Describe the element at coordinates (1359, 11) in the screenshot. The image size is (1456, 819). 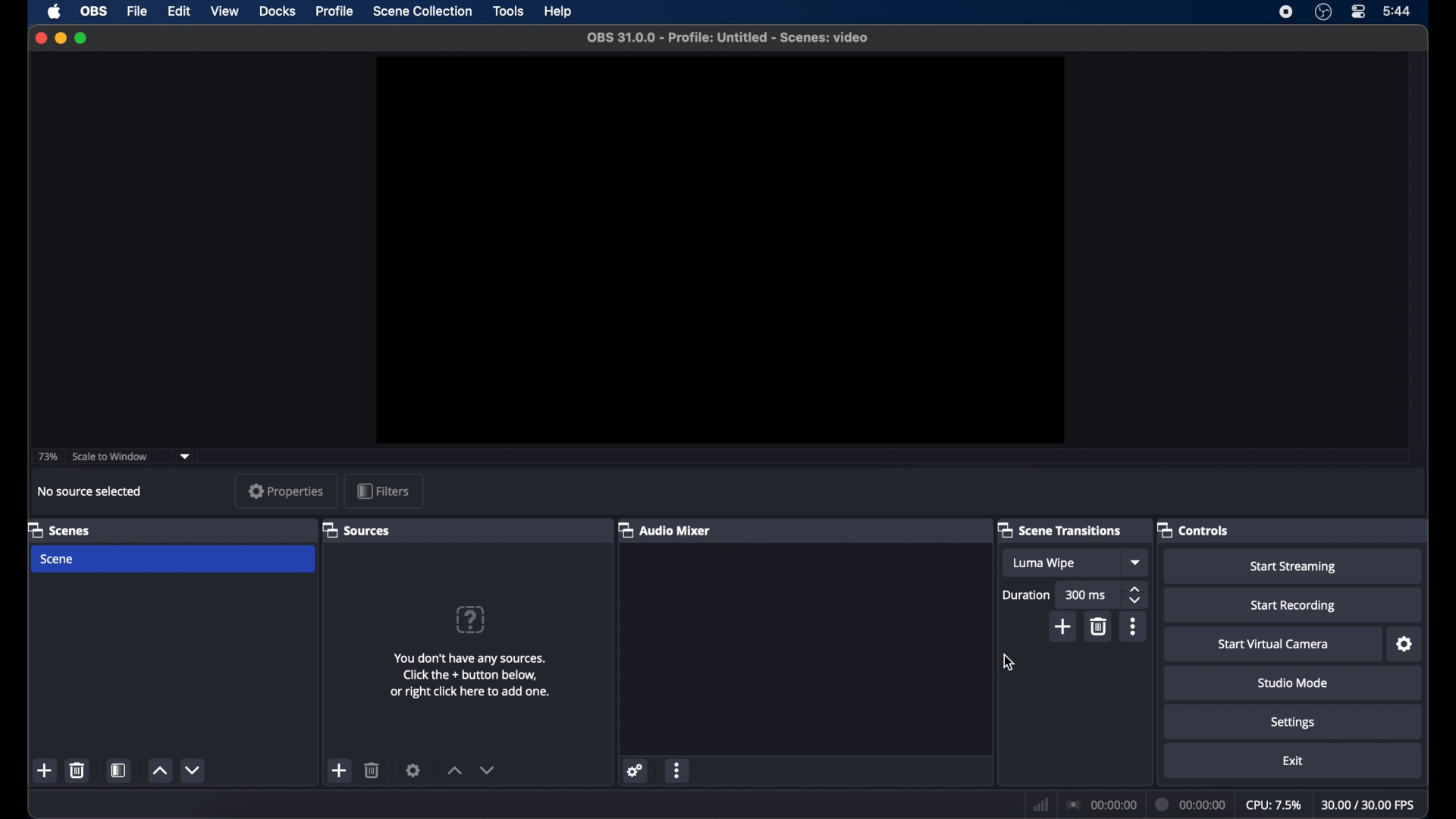
I see `control center` at that location.